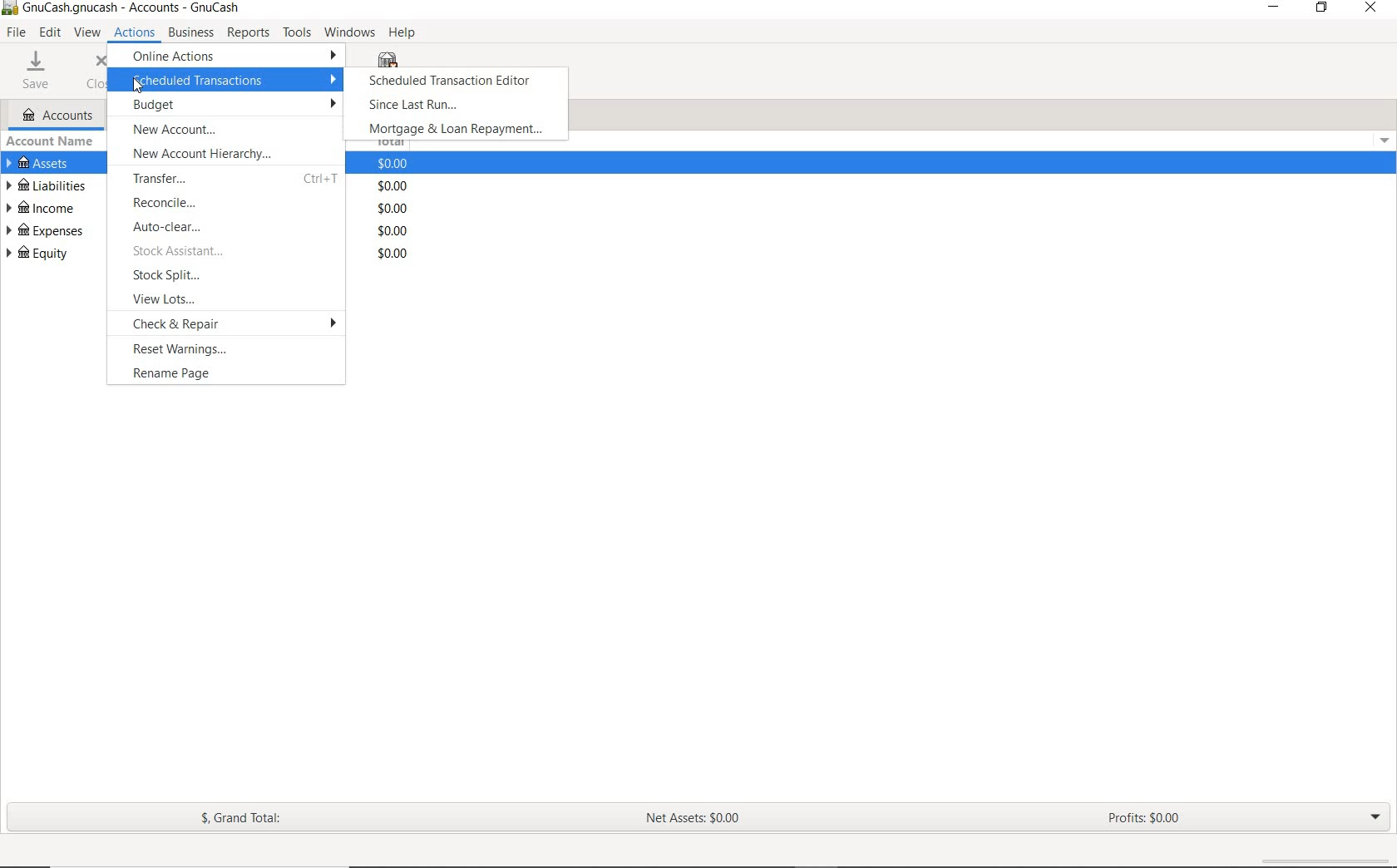  I want to click on NEW ACCOUNT HEIRACHY, so click(230, 155).